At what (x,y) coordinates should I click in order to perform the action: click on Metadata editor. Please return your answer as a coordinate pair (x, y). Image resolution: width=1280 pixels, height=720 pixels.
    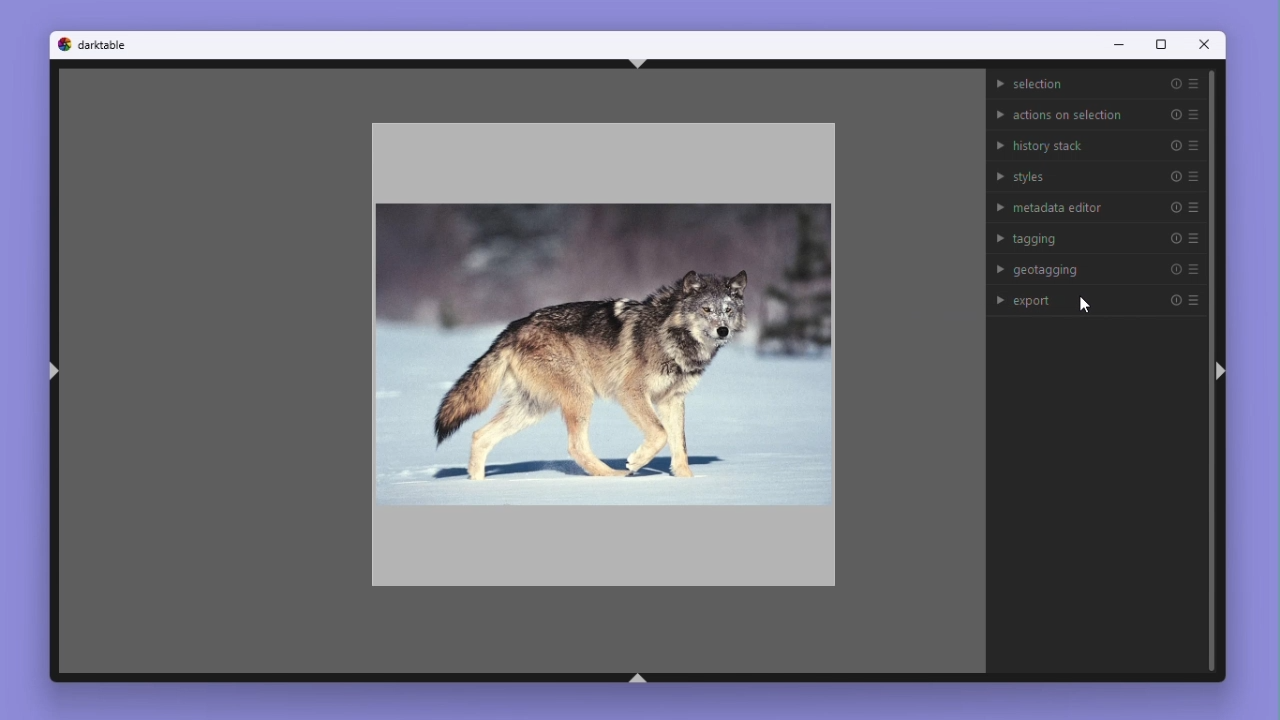
    Looking at the image, I should click on (1095, 205).